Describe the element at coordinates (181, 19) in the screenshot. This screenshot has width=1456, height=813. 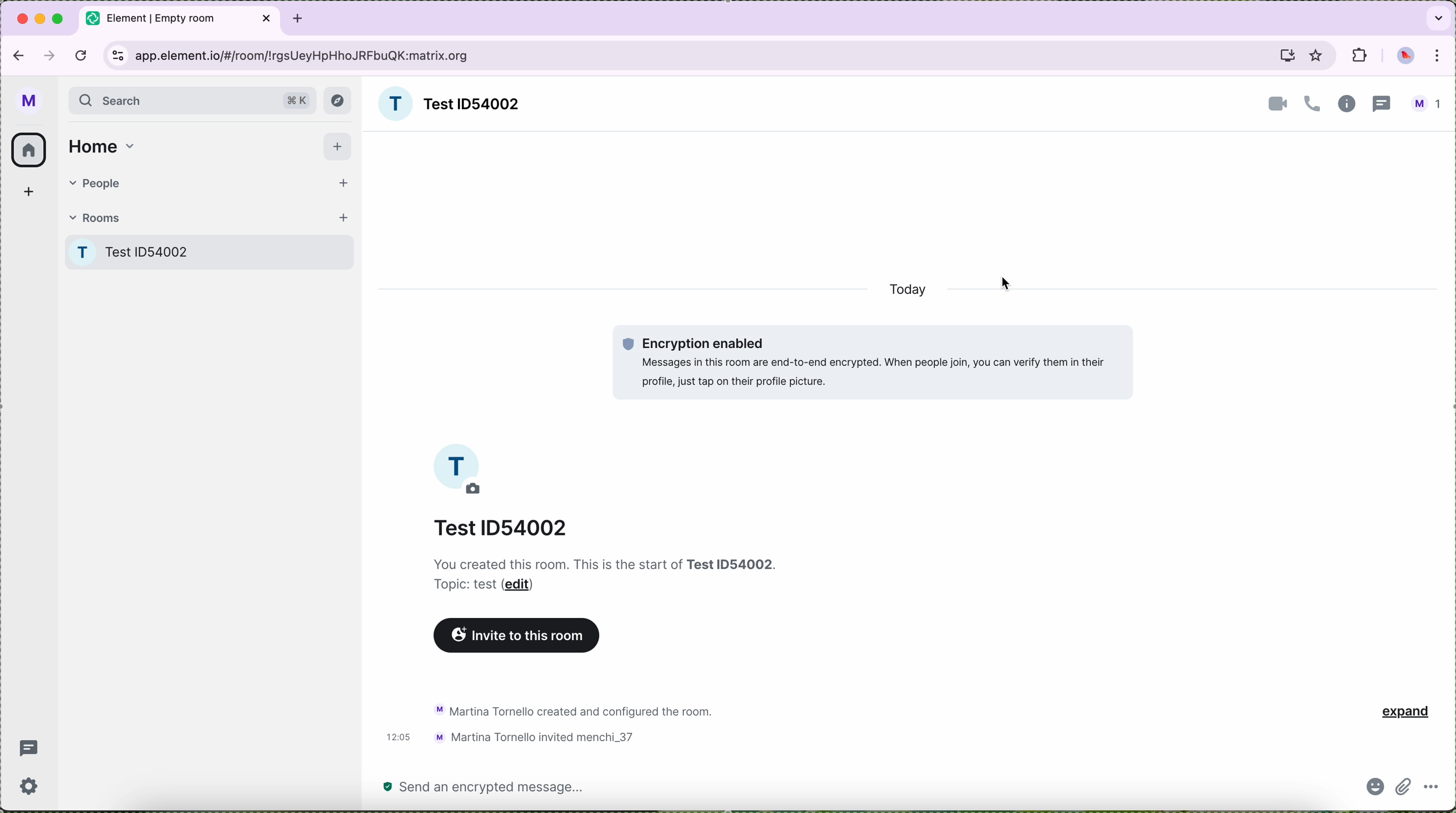
I see `tab` at that location.